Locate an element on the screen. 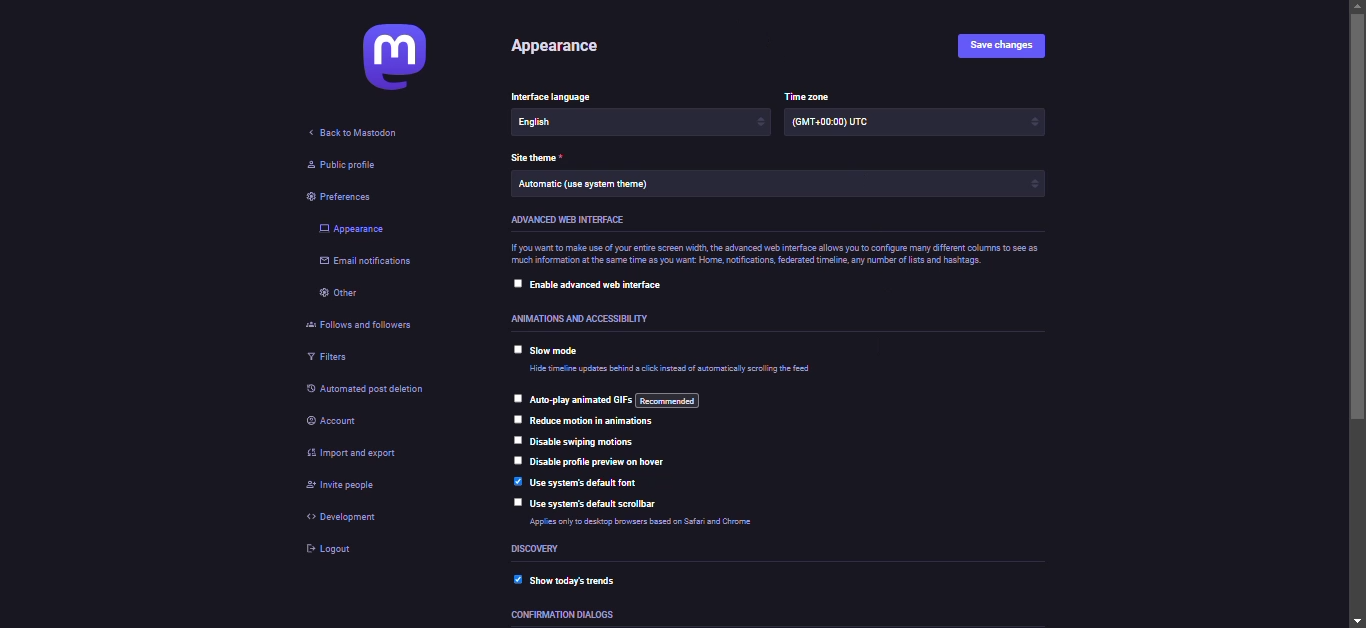 The height and width of the screenshot is (628, 1366). info is located at coordinates (663, 525).